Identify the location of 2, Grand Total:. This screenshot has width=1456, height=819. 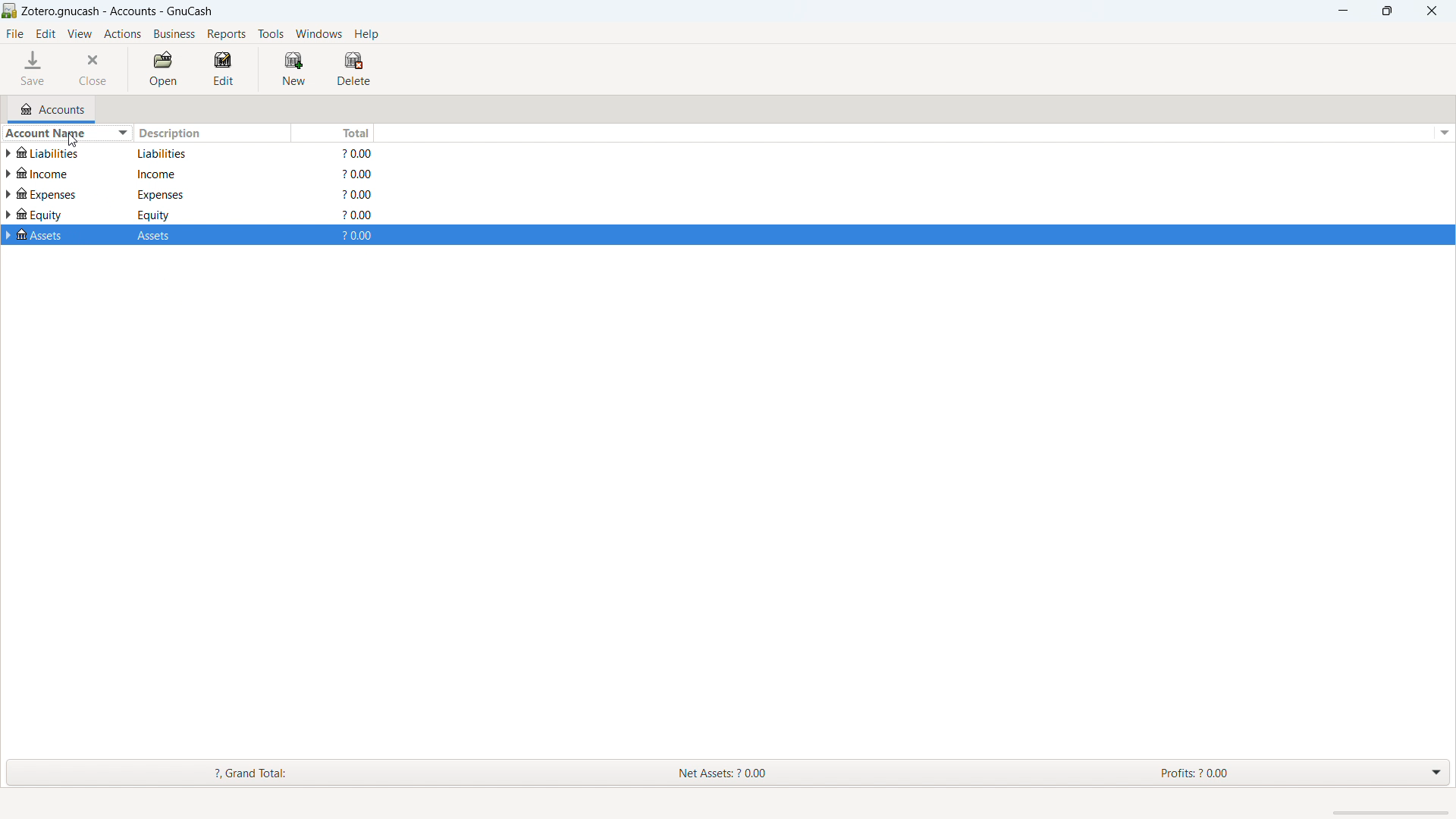
(269, 772).